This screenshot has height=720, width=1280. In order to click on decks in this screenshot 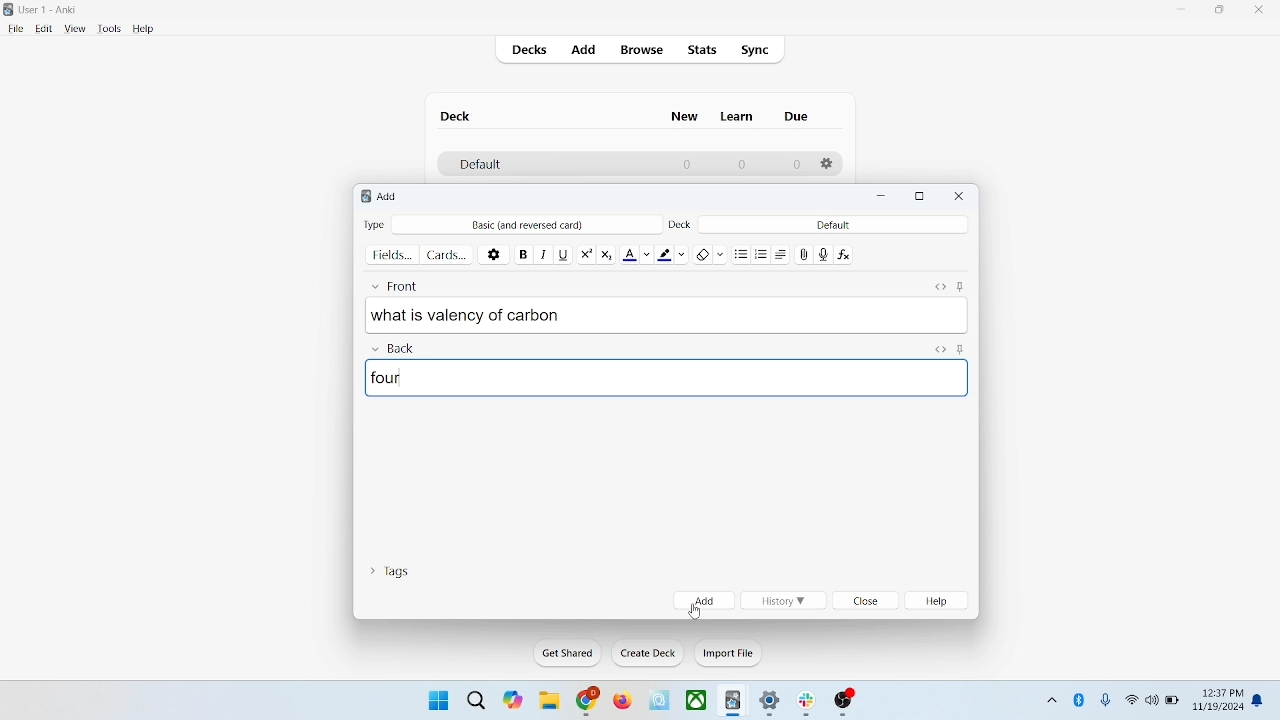, I will do `click(532, 52)`.